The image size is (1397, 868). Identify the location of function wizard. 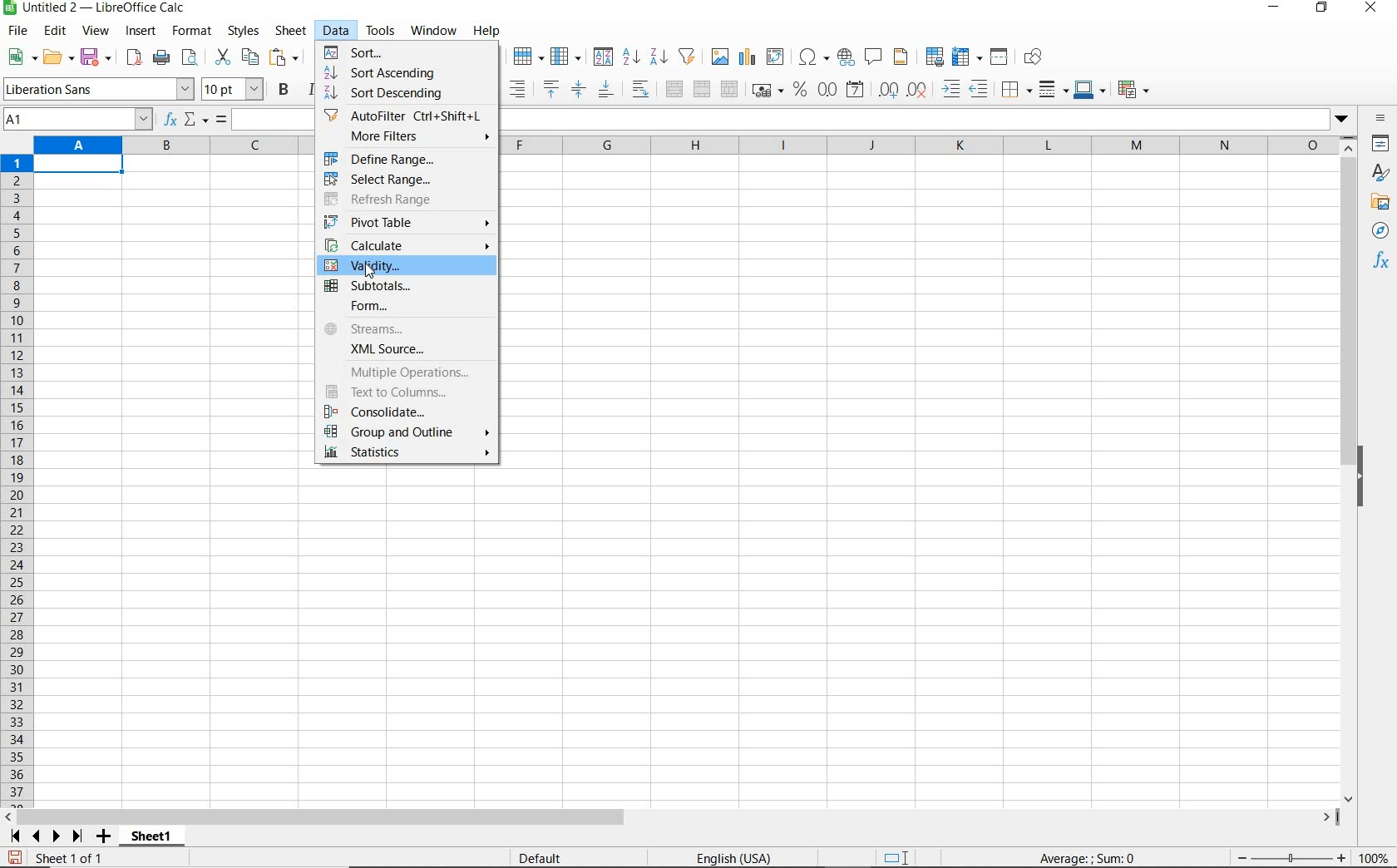
(168, 120).